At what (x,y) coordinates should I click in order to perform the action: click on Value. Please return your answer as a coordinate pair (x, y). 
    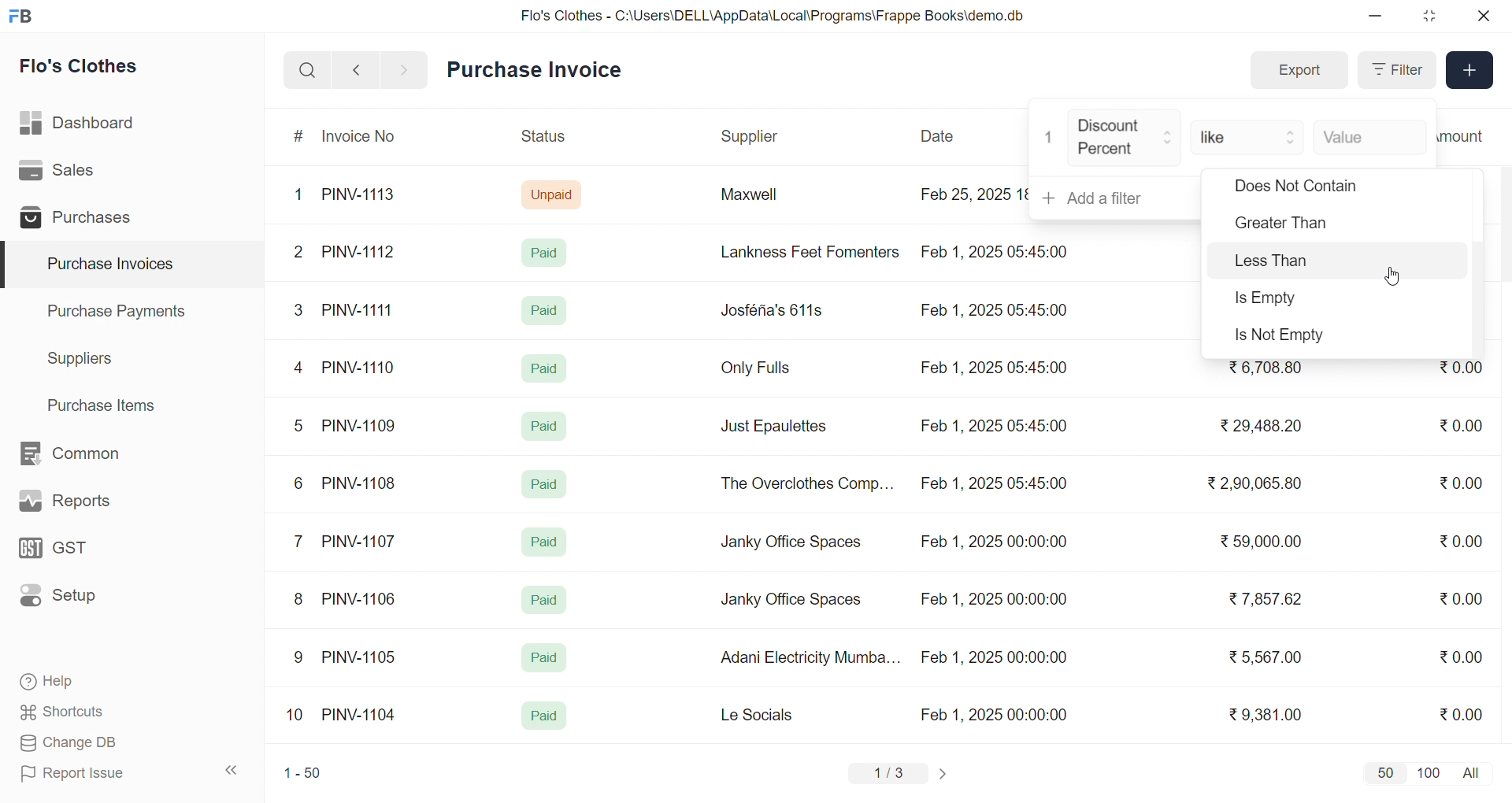
    Looking at the image, I should click on (1369, 135).